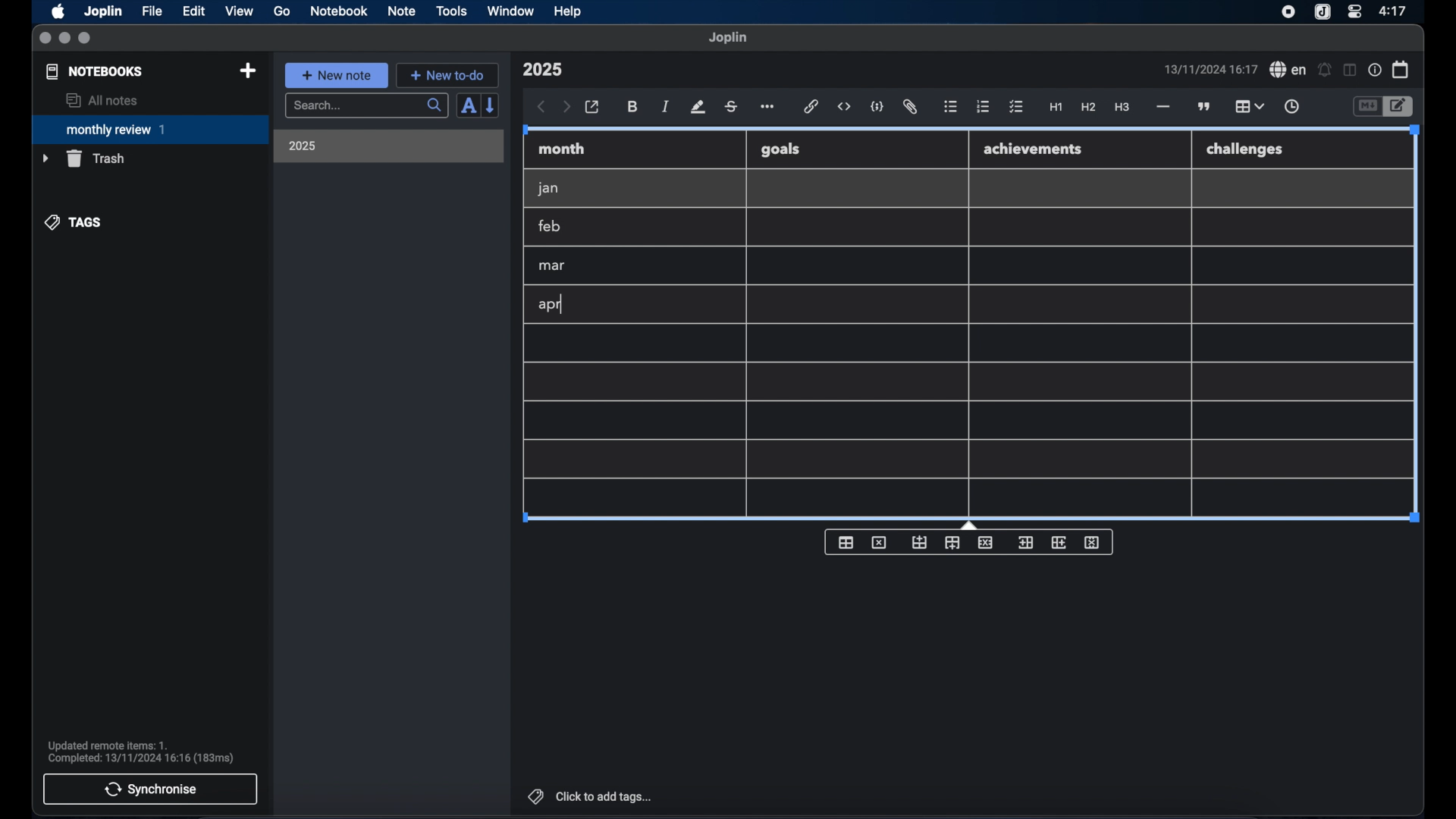 This screenshot has height=819, width=1456. What do you see at coordinates (541, 107) in the screenshot?
I see `back` at bounding box center [541, 107].